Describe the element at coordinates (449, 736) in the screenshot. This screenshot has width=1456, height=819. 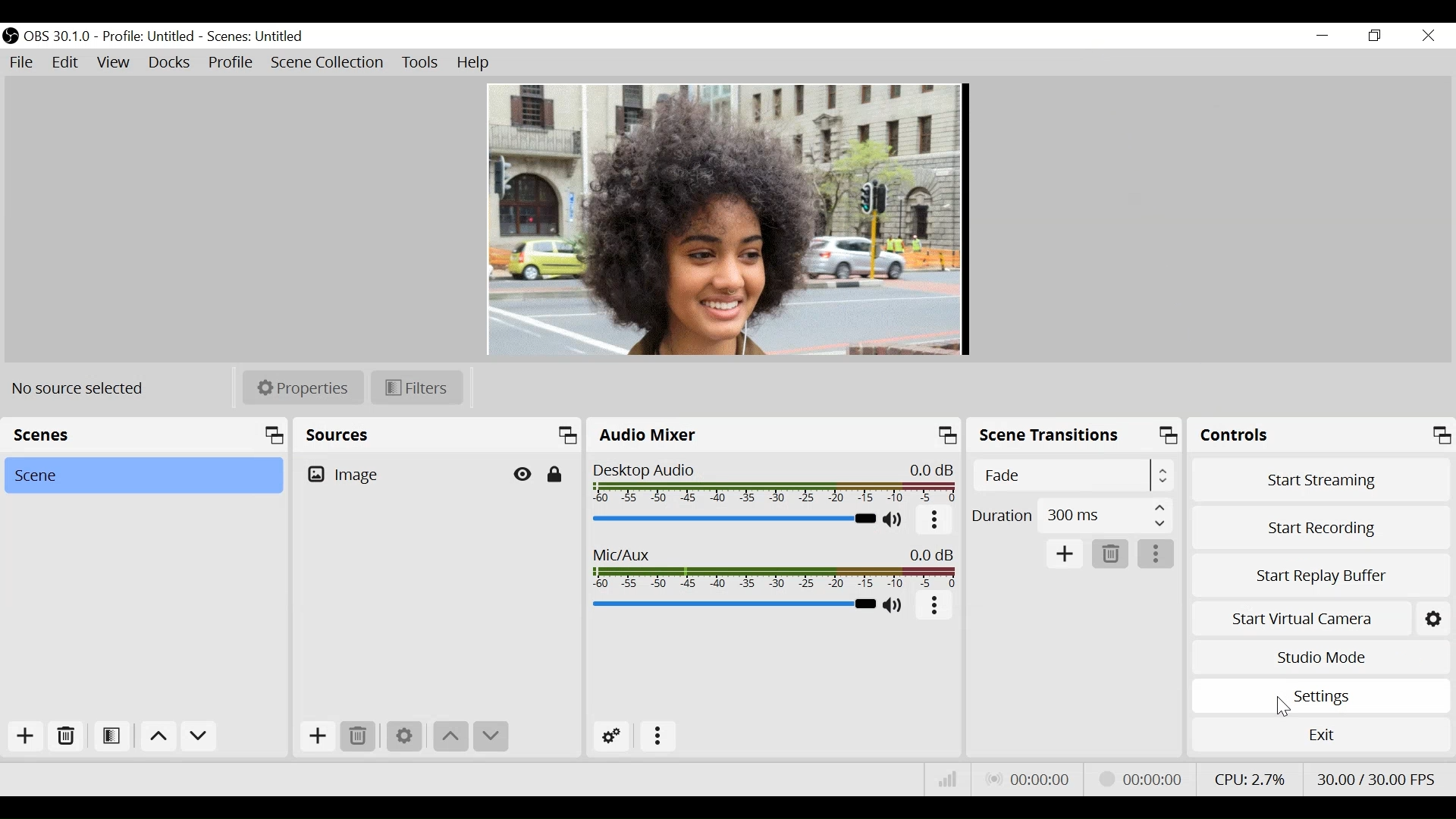
I see `Move Up` at that location.